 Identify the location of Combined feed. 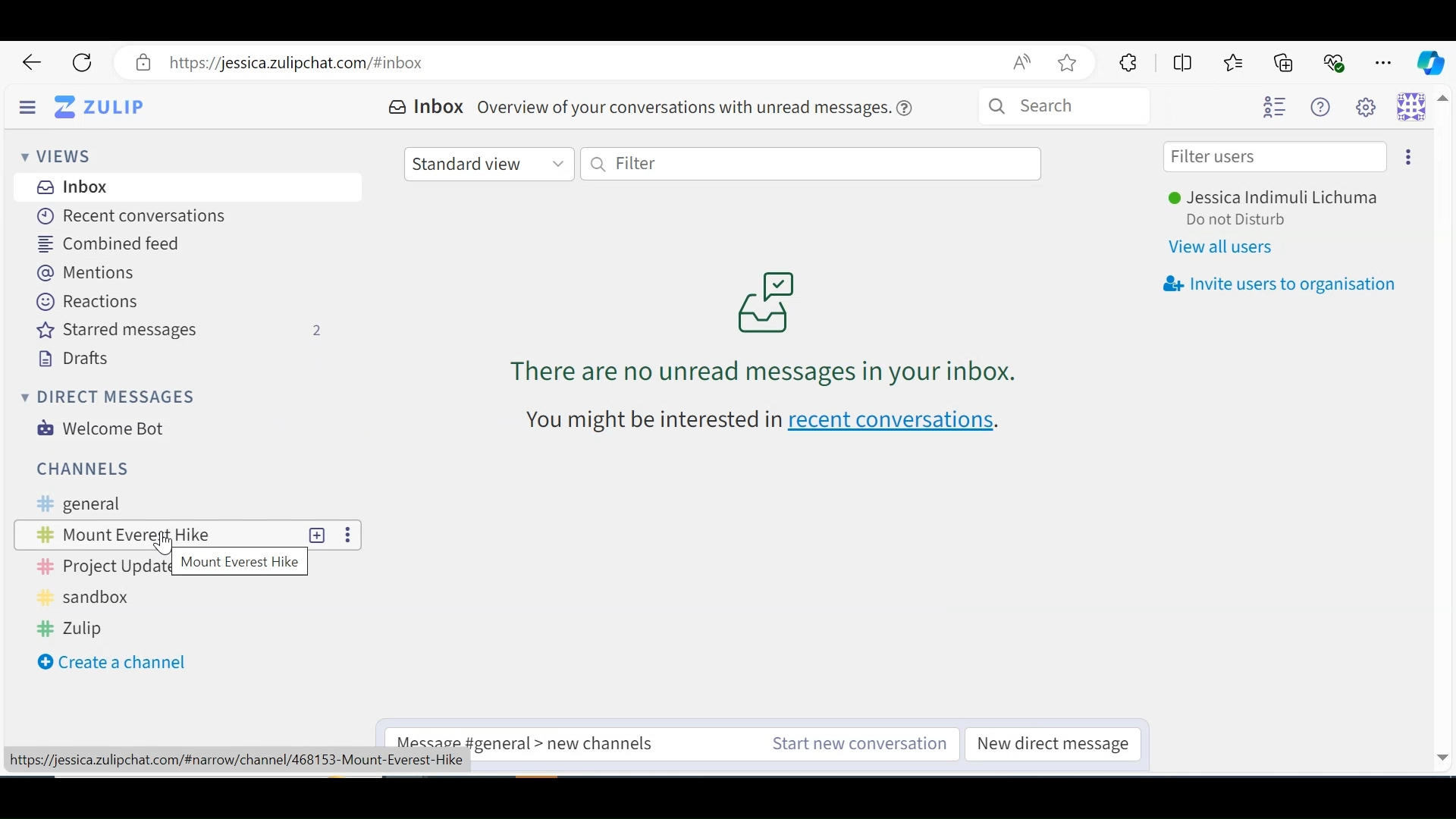
(115, 244).